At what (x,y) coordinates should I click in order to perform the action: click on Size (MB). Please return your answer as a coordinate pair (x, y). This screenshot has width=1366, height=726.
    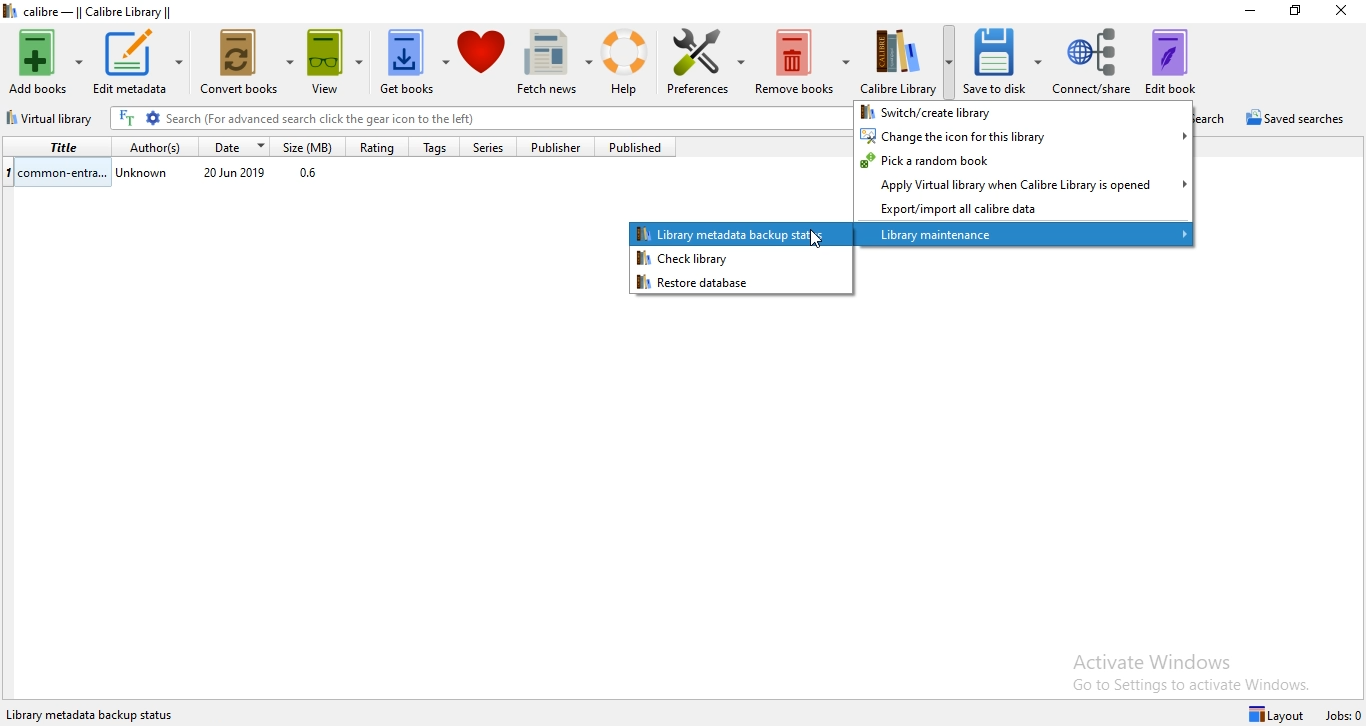
    Looking at the image, I should click on (312, 146).